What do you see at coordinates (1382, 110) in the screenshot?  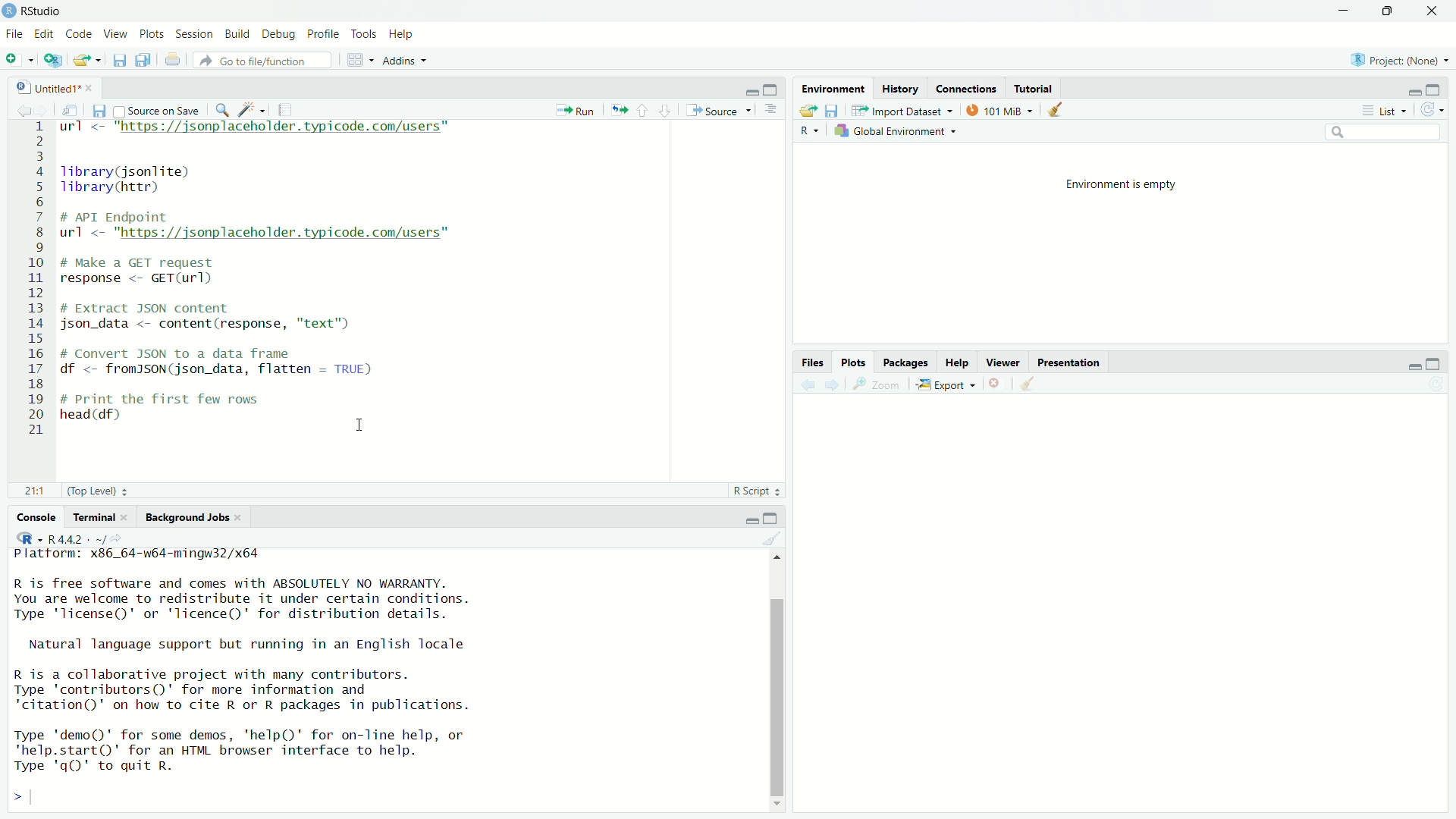 I see `List ` at bounding box center [1382, 110].